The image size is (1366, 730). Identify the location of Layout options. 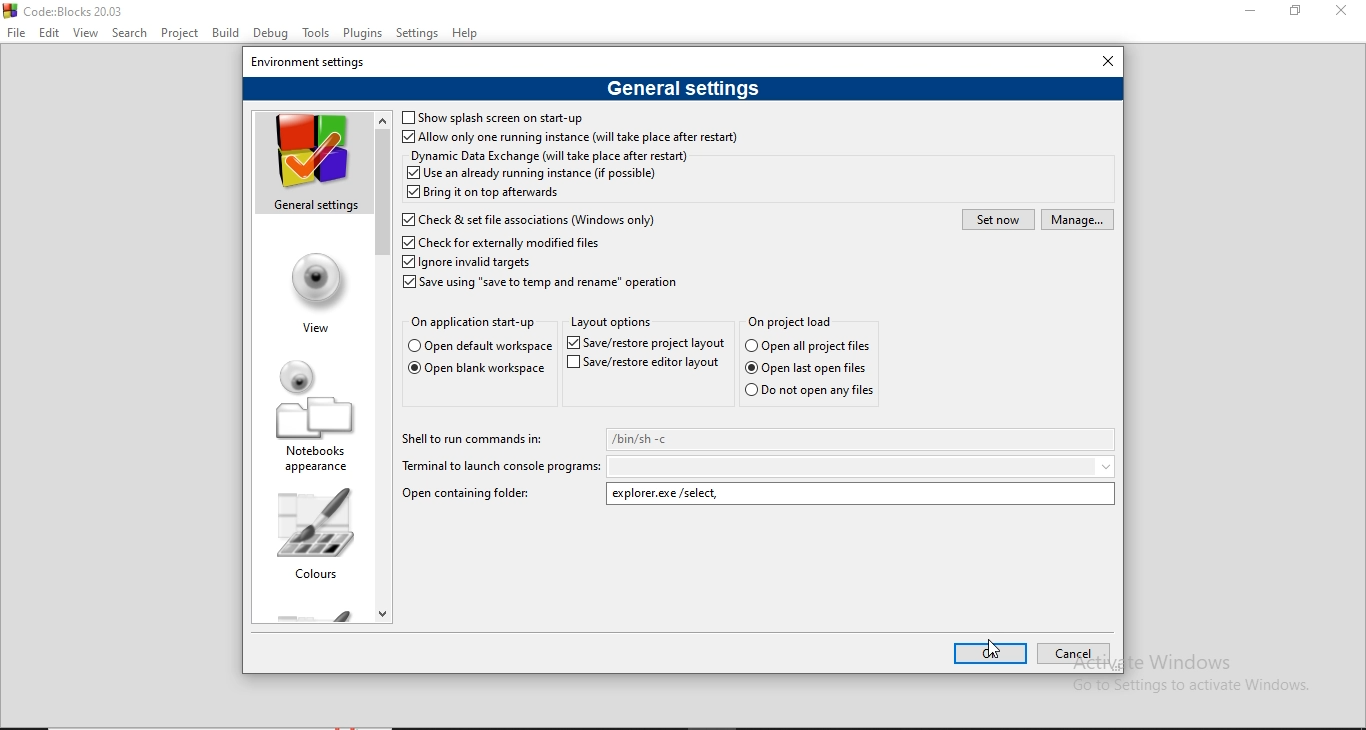
(611, 322).